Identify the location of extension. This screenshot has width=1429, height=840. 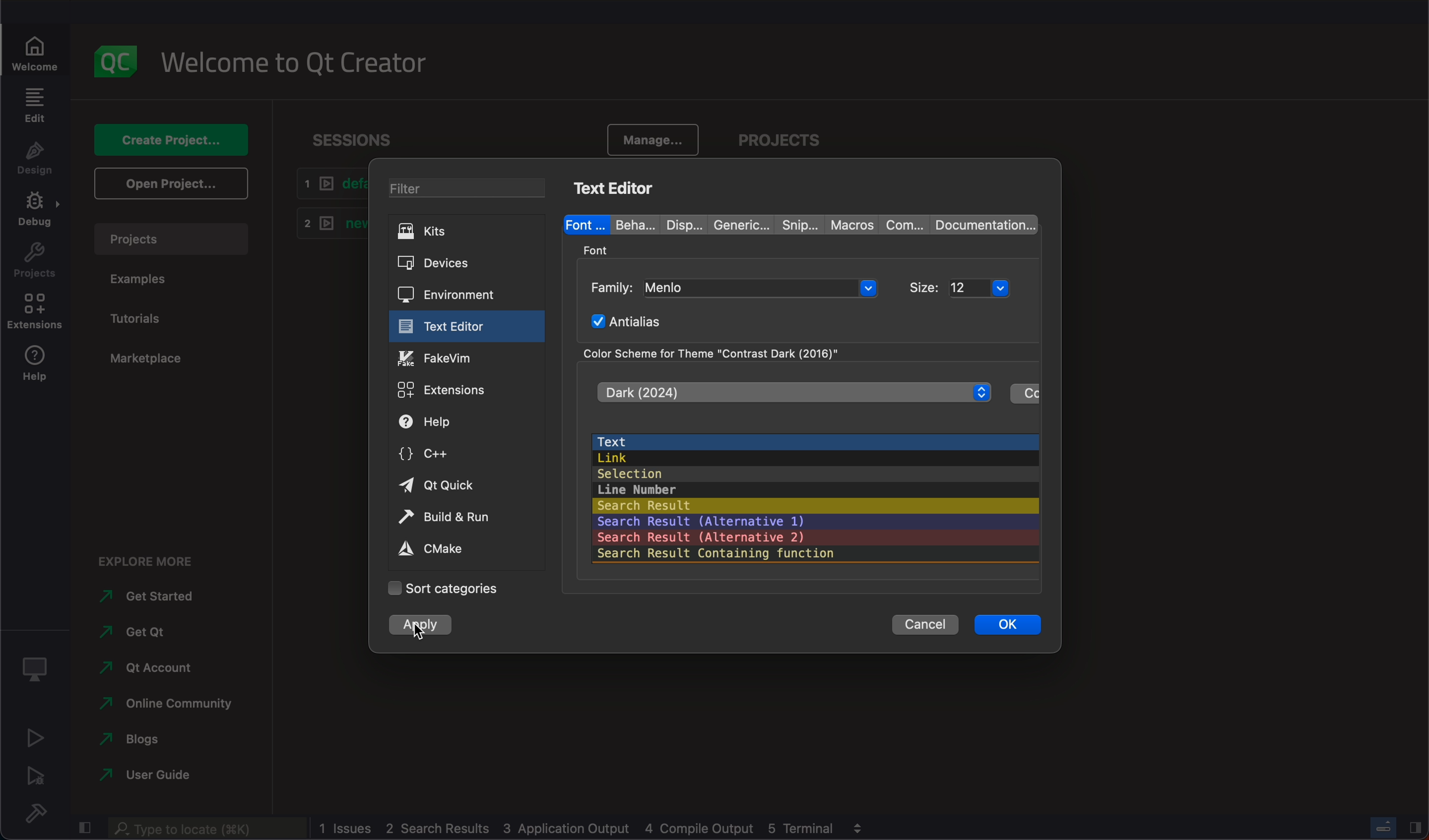
(34, 313).